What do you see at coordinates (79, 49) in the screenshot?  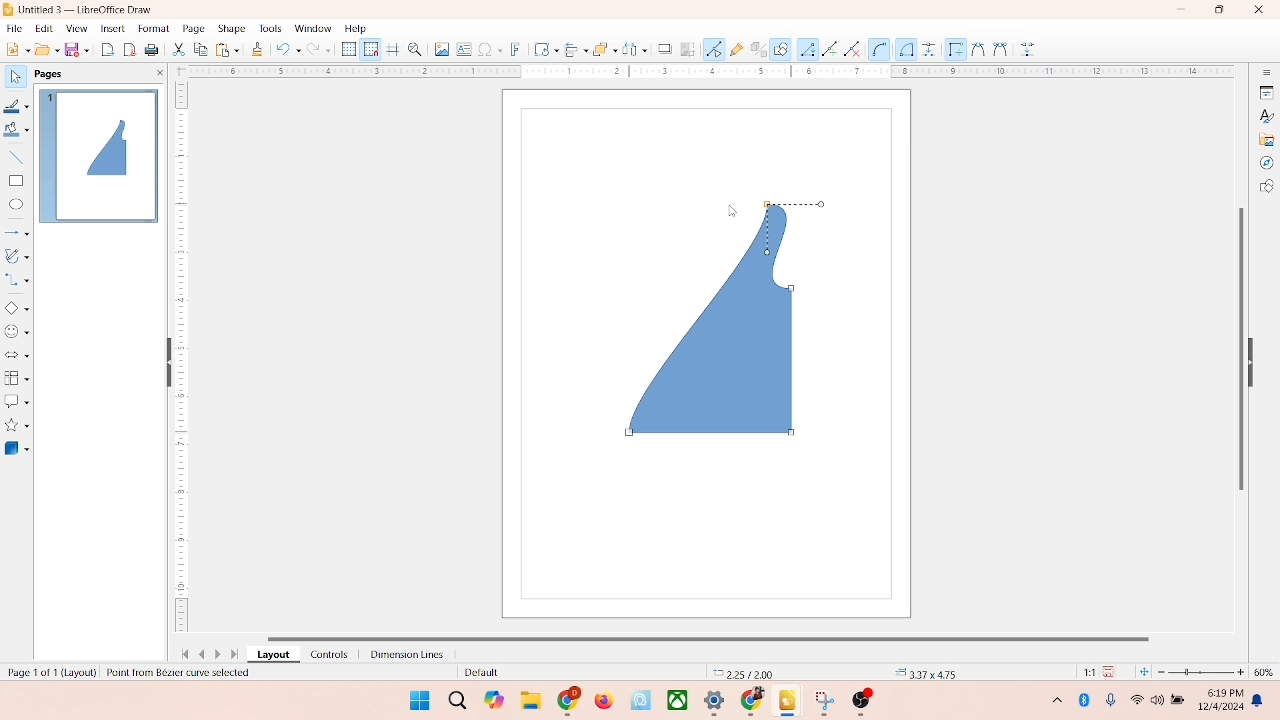 I see `save` at bounding box center [79, 49].